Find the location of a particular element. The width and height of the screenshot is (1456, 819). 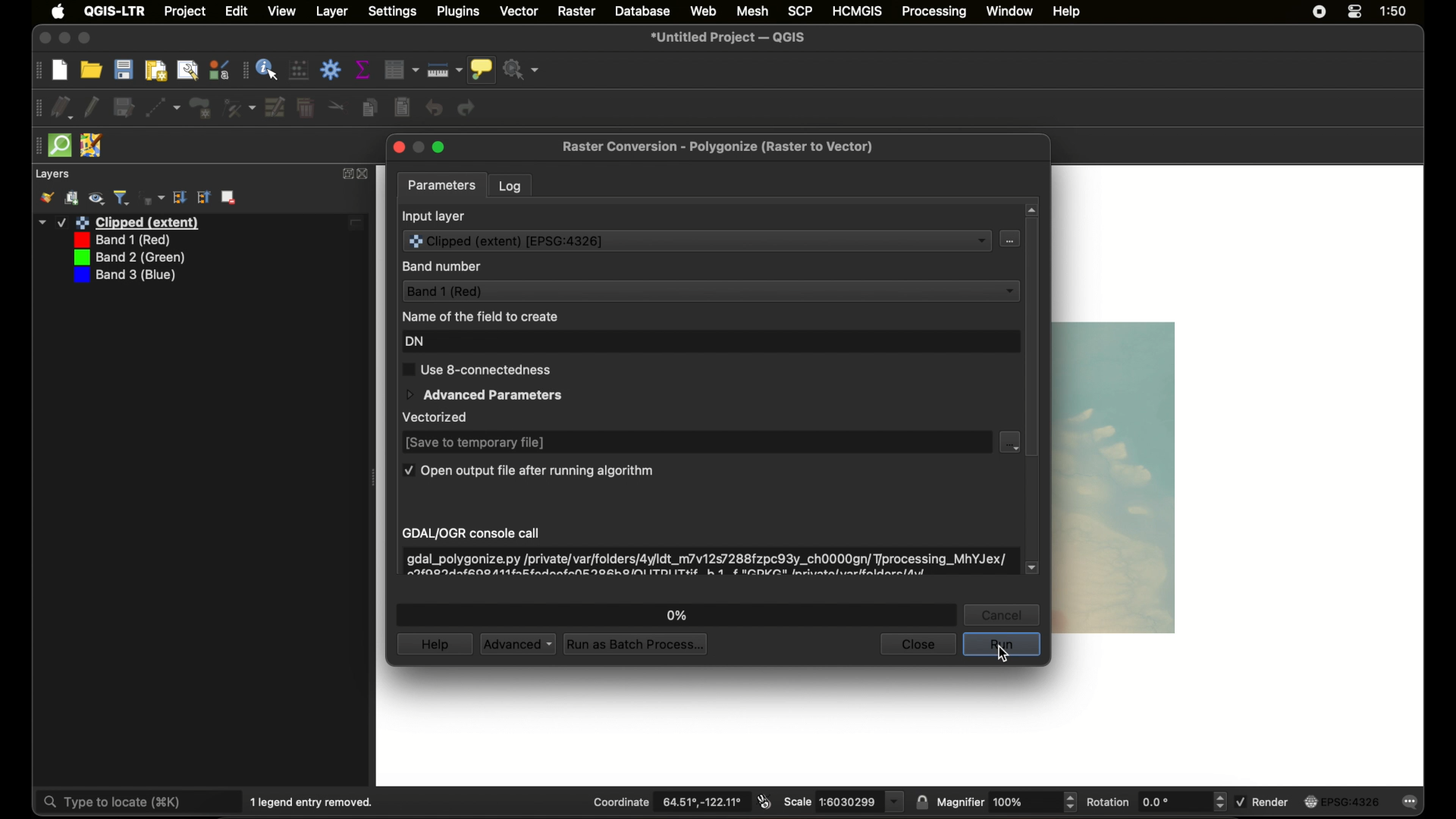

open layer styling panel is located at coordinates (46, 198).